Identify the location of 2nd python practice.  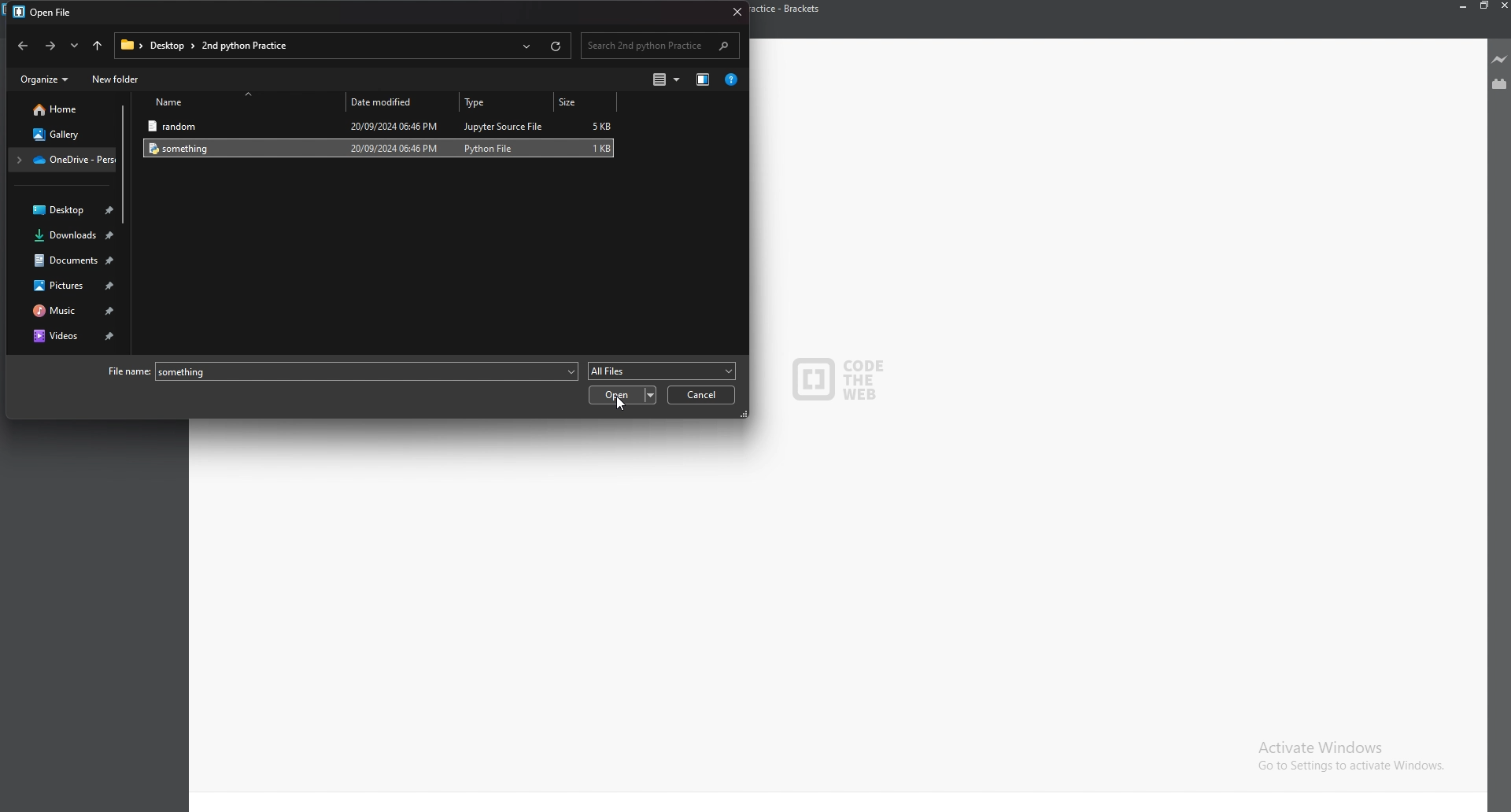
(249, 45).